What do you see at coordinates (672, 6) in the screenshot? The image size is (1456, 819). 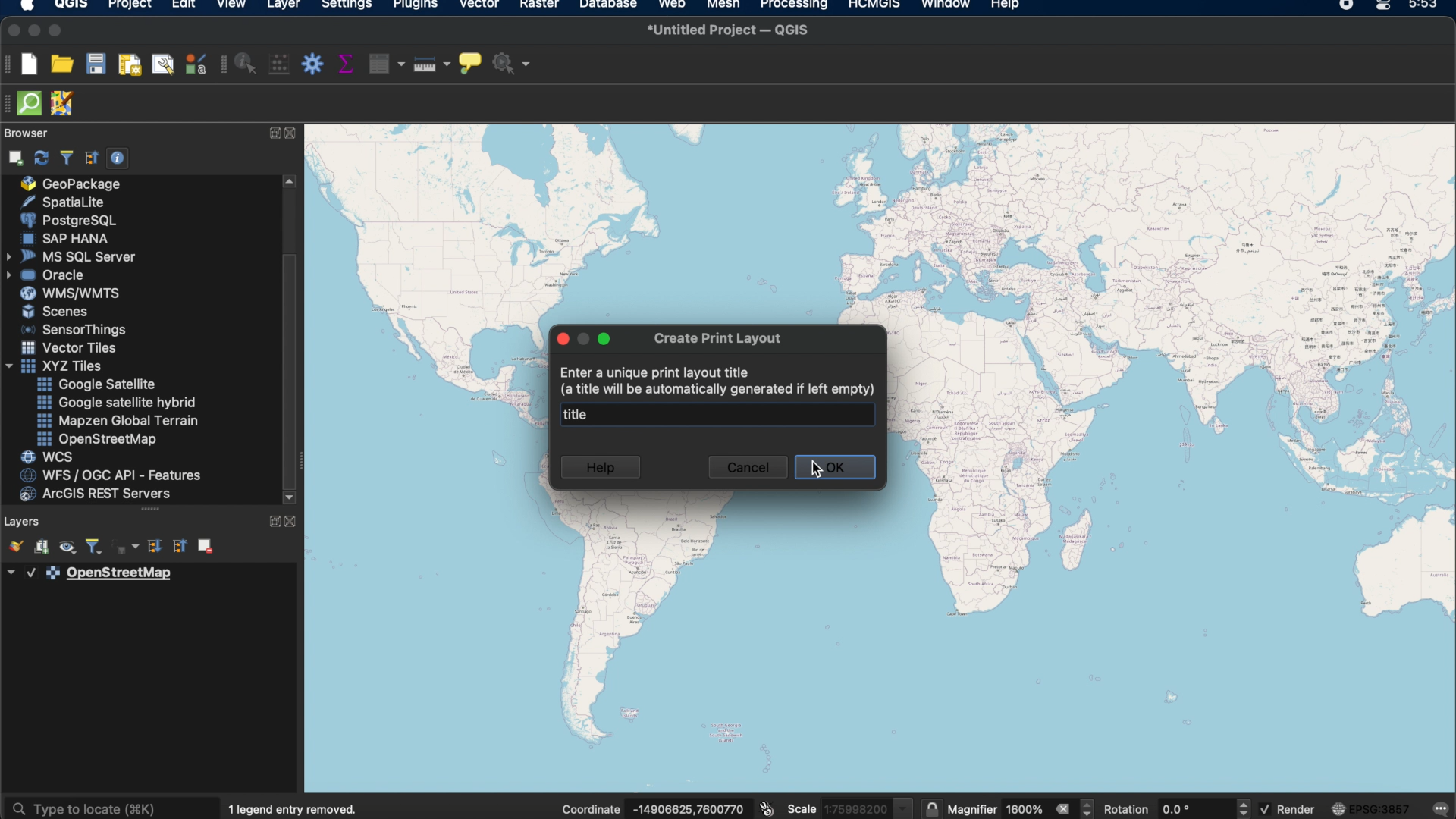 I see `web` at bounding box center [672, 6].